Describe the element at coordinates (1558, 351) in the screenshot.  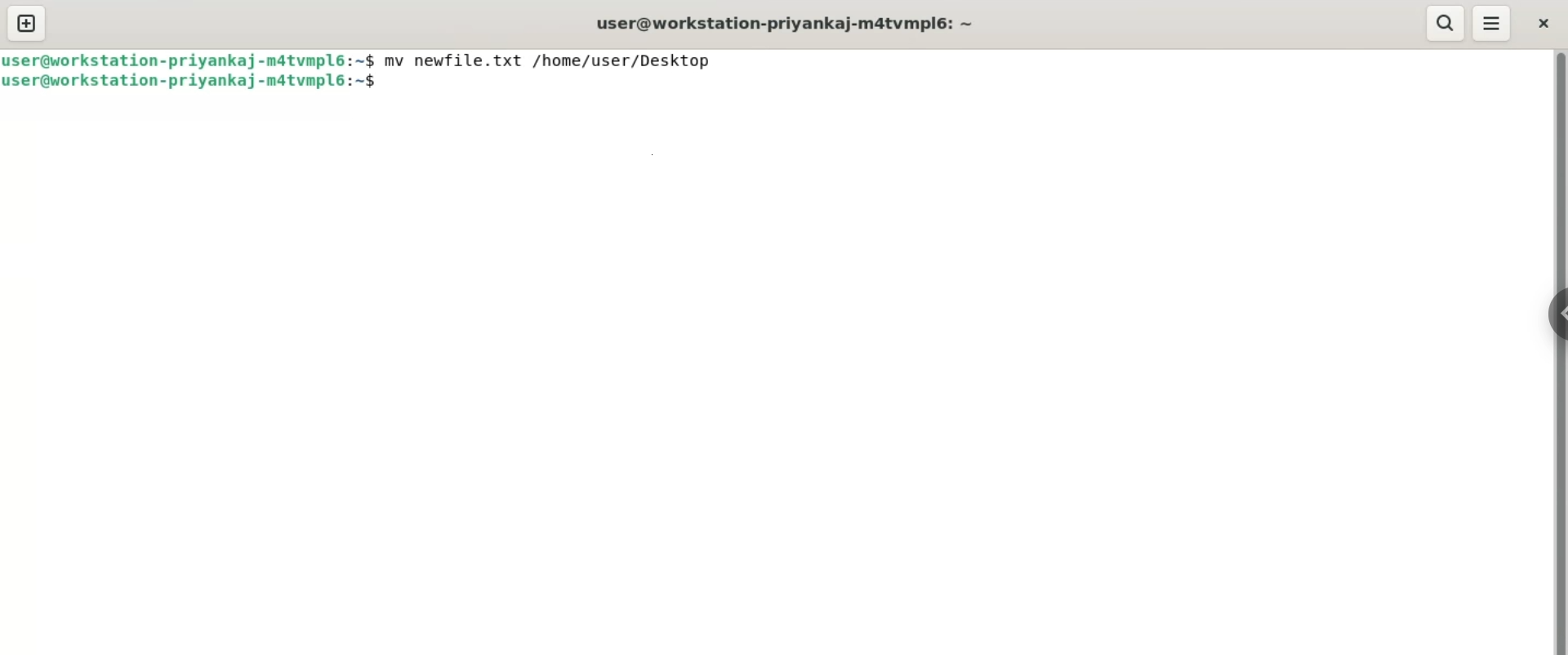
I see `vertical scroll bar` at that location.